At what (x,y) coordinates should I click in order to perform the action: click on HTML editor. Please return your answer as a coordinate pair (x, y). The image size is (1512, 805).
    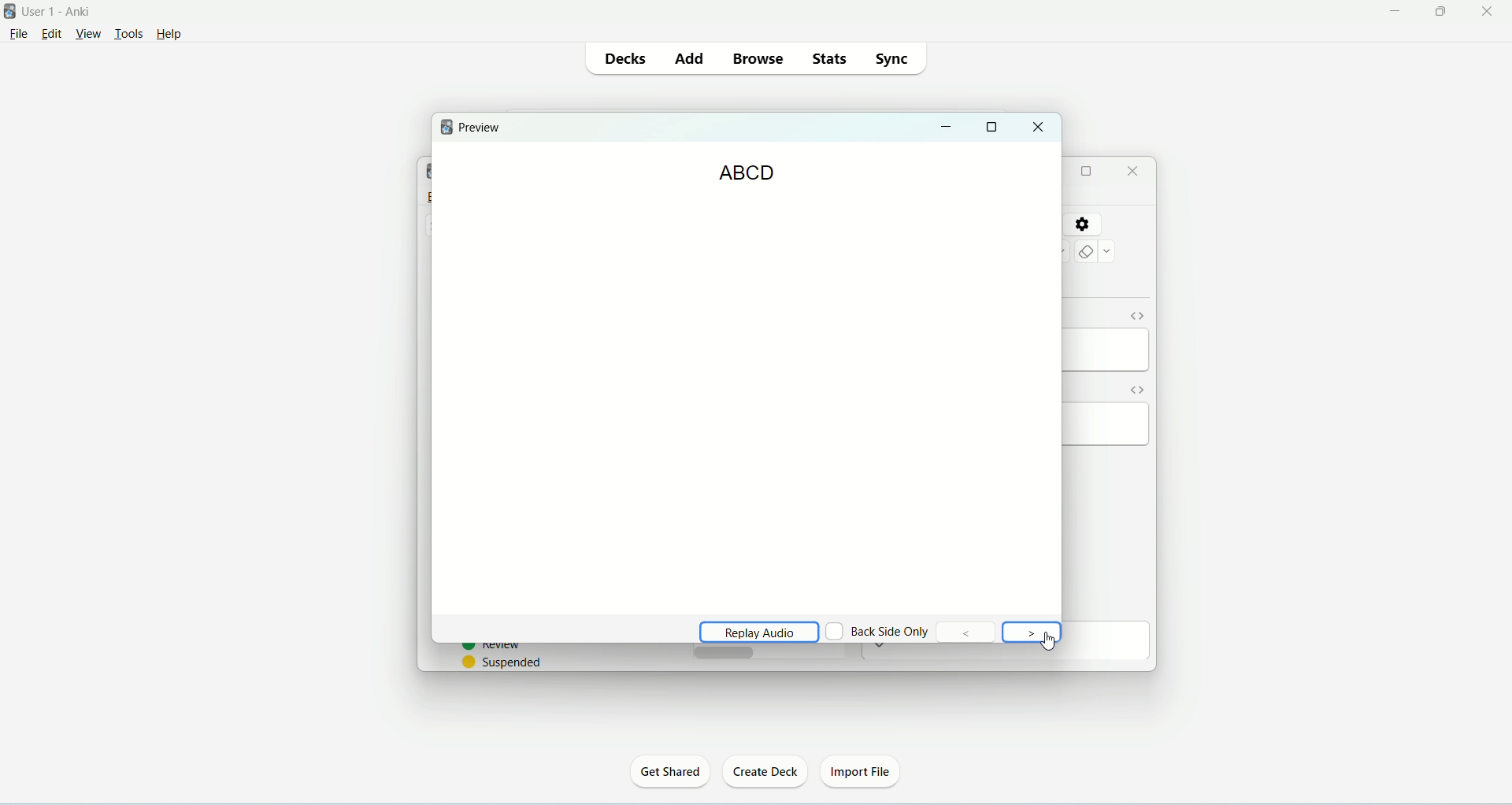
    Looking at the image, I should click on (1135, 316).